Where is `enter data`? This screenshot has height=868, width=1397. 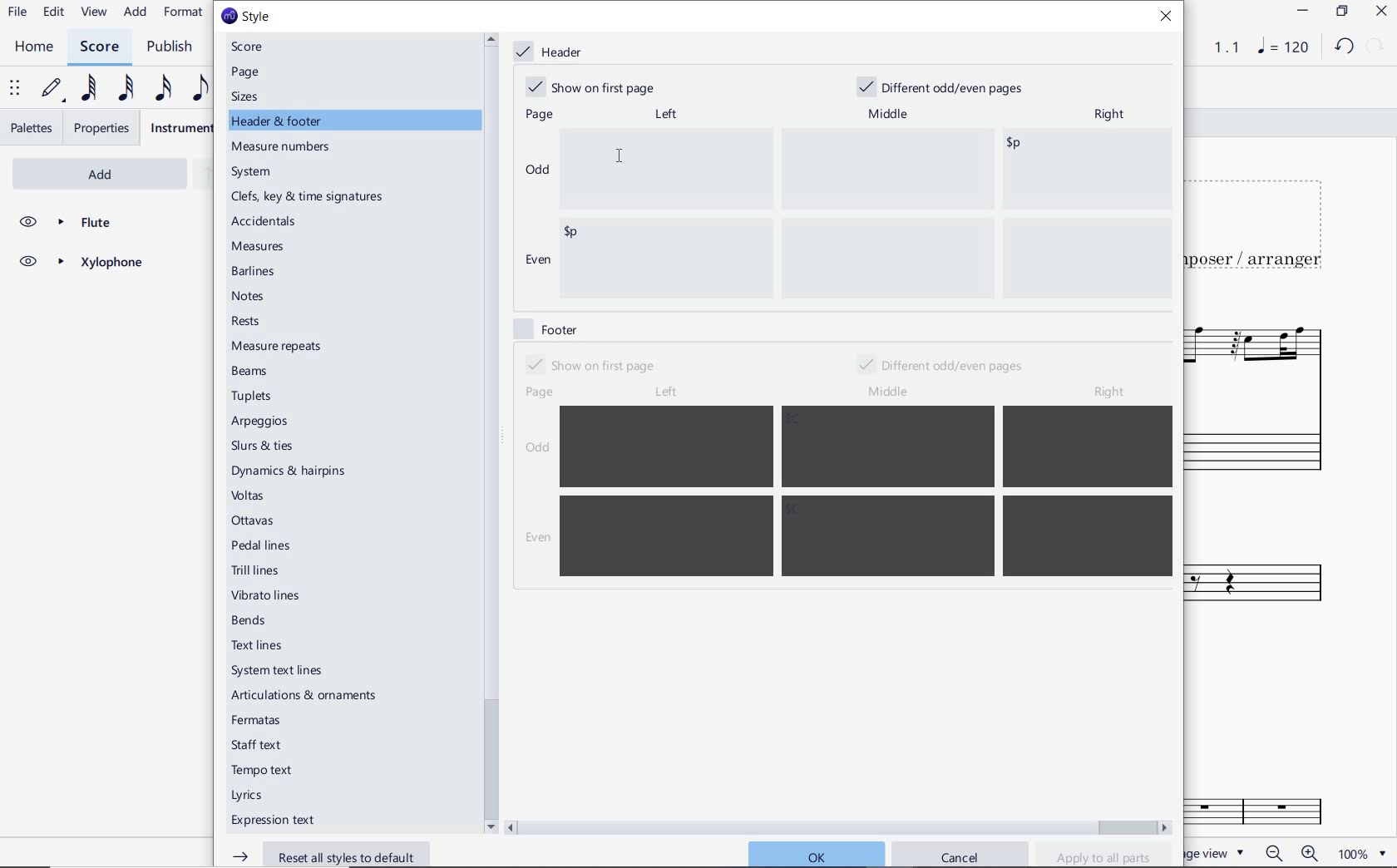
enter data is located at coordinates (868, 492).